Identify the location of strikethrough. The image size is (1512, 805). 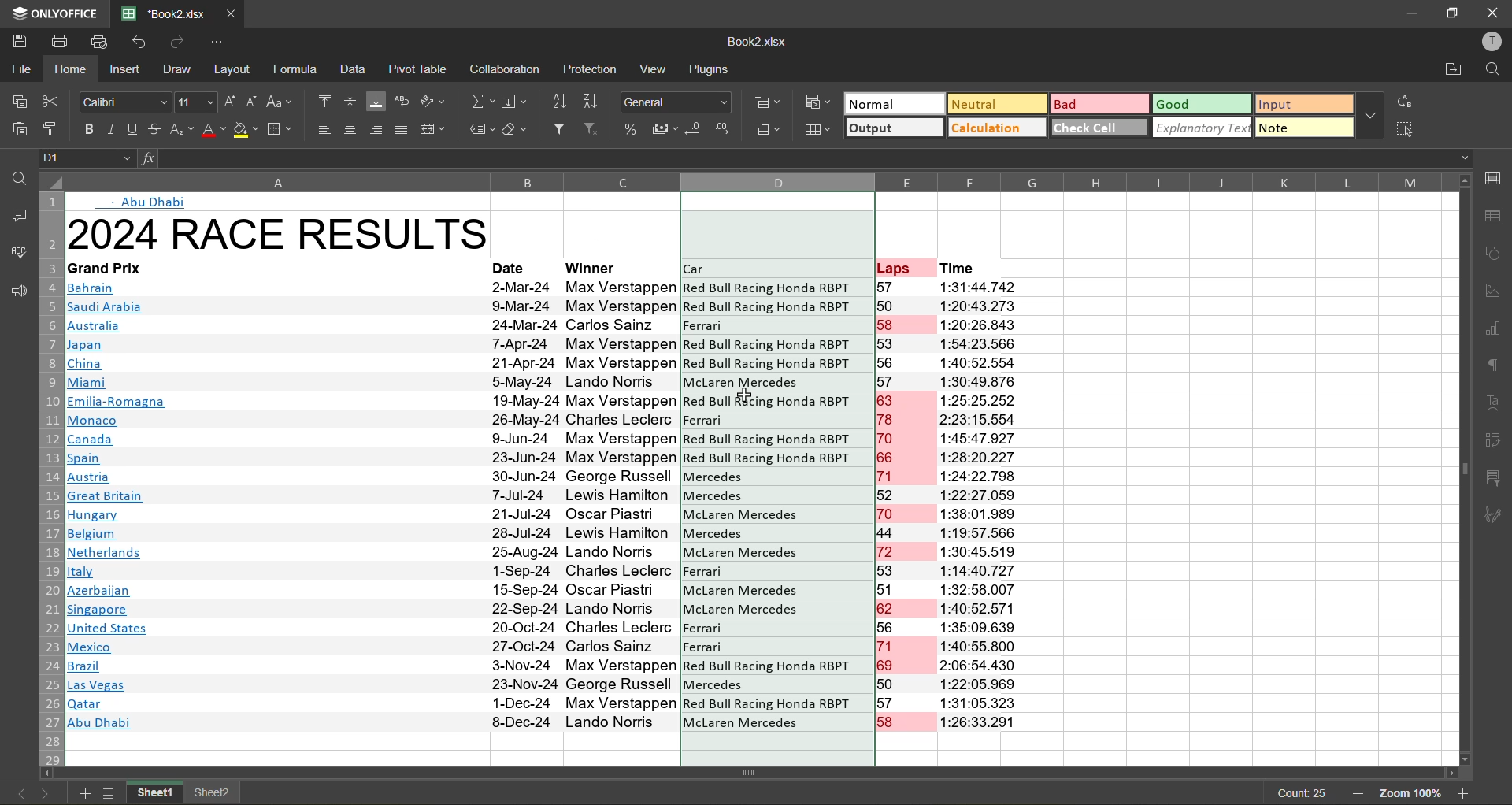
(156, 128).